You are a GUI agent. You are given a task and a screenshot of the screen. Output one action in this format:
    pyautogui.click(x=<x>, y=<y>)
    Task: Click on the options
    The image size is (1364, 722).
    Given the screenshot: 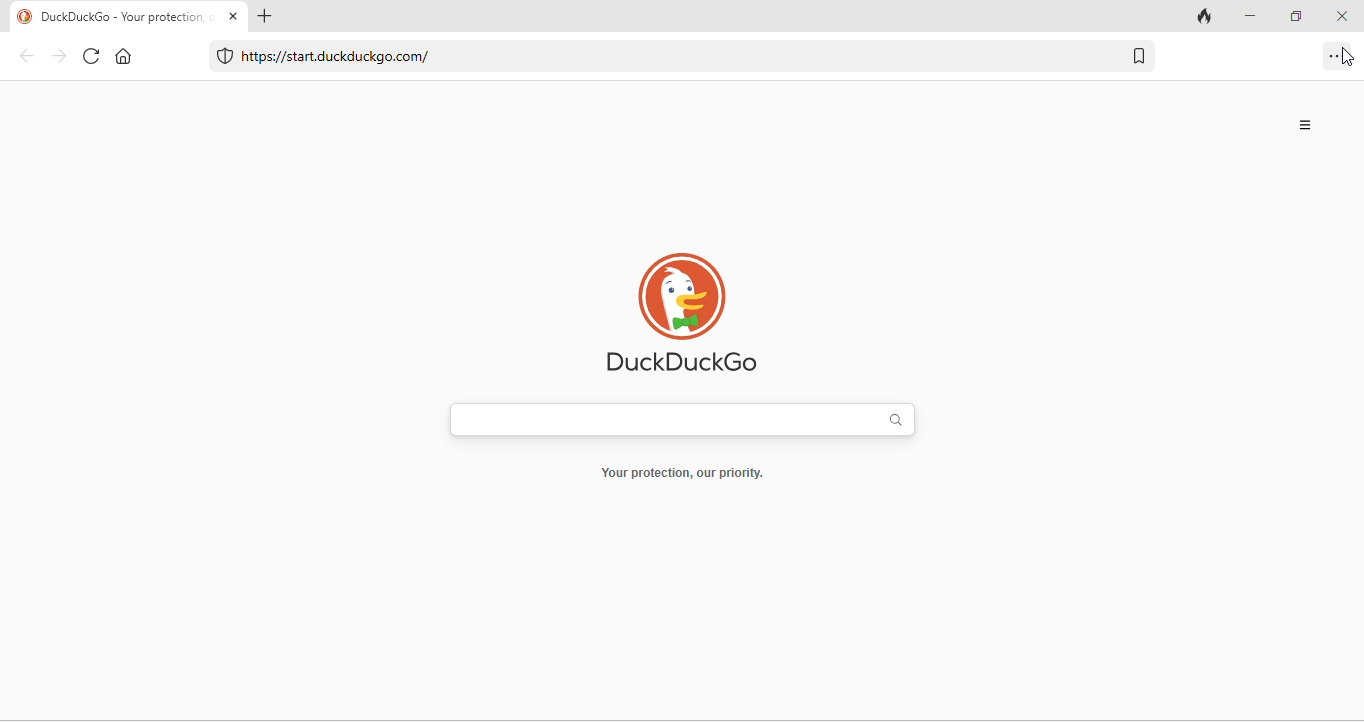 What is the action you would take?
    pyautogui.click(x=1333, y=55)
    